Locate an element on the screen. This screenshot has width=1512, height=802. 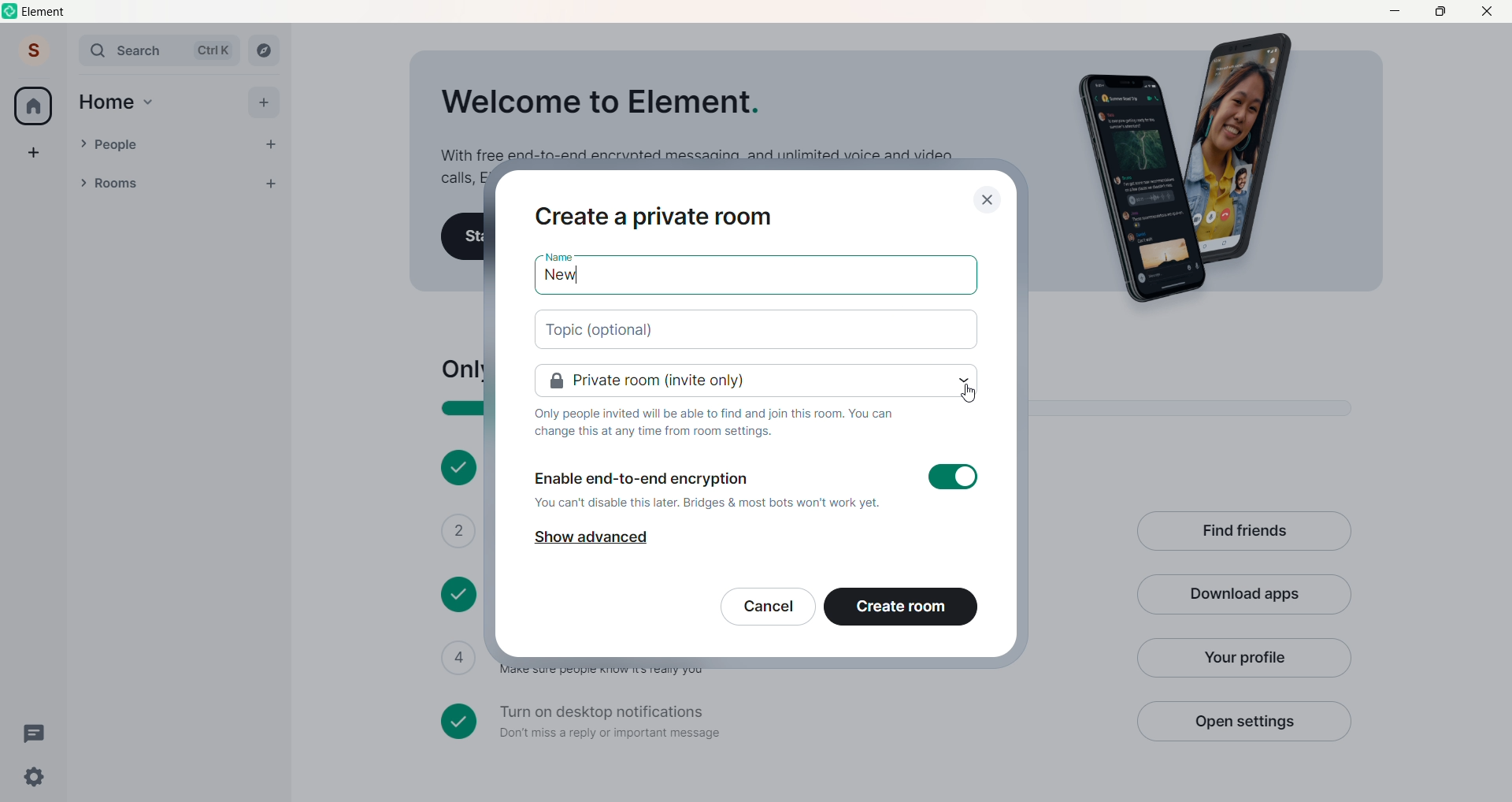
Welcome to Element.
With free end-to-end encrypted messaging, and unlimited voice and video
calls, Element is a great way to stay in touch. is located at coordinates (695, 120).